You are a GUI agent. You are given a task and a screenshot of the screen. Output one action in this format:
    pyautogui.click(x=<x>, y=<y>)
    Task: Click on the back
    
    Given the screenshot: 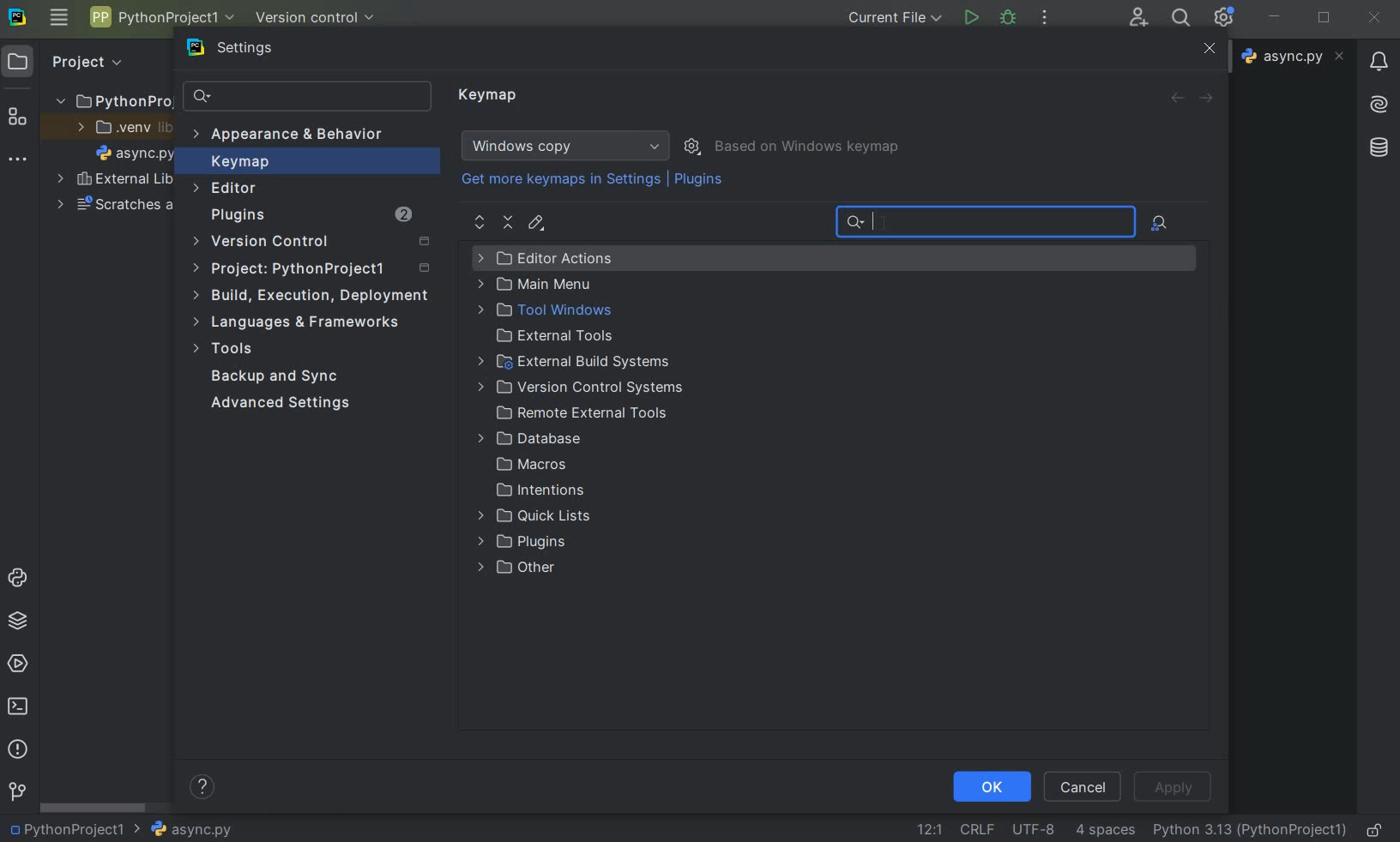 What is the action you would take?
    pyautogui.click(x=1176, y=98)
    